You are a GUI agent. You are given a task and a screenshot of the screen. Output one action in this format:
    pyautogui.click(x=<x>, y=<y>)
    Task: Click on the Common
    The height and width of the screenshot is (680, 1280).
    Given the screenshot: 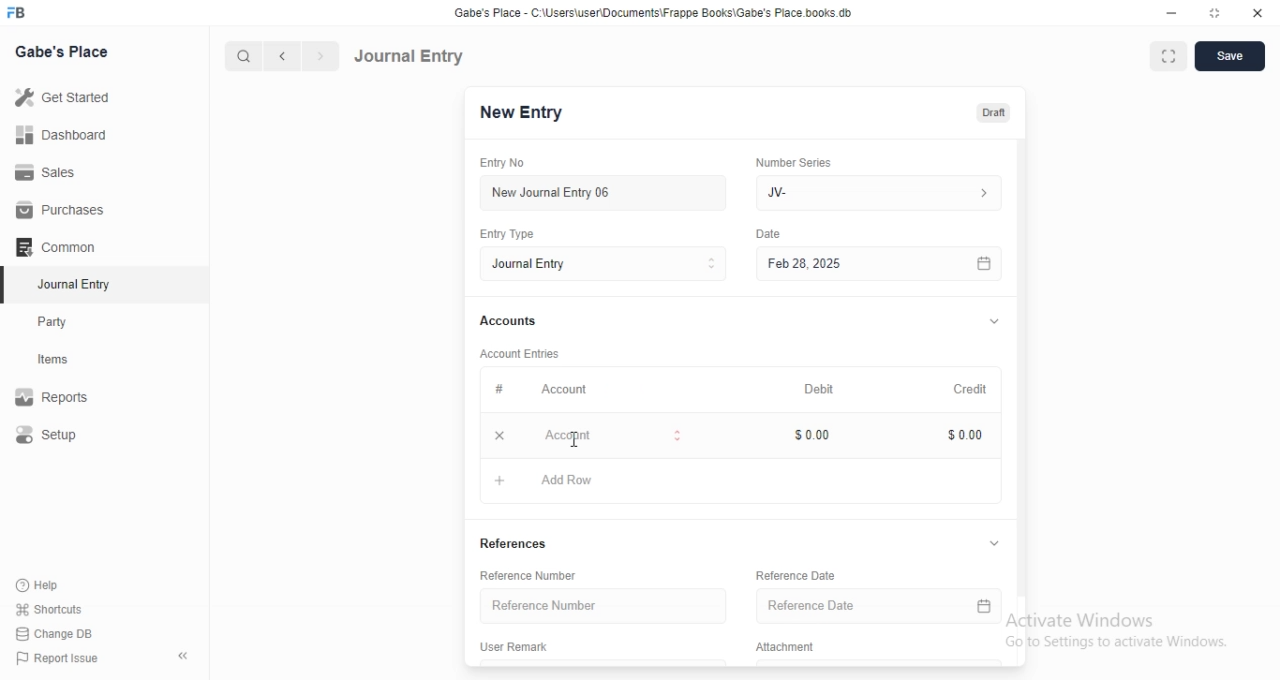 What is the action you would take?
    pyautogui.click(x=61, y=247)
    